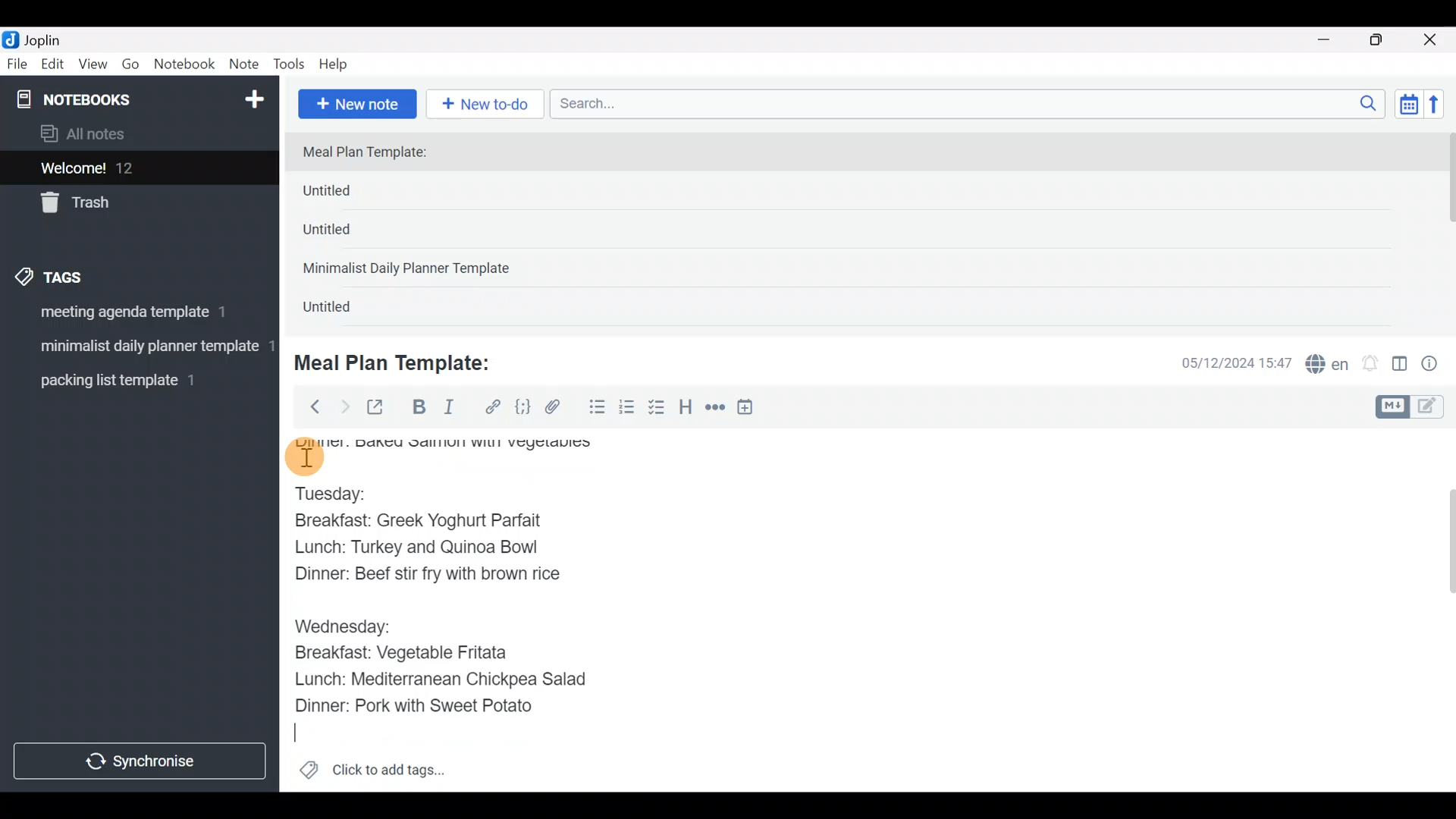 This screenshot has width=1456, height=819. I want to click on Bold, so click(418, 409).